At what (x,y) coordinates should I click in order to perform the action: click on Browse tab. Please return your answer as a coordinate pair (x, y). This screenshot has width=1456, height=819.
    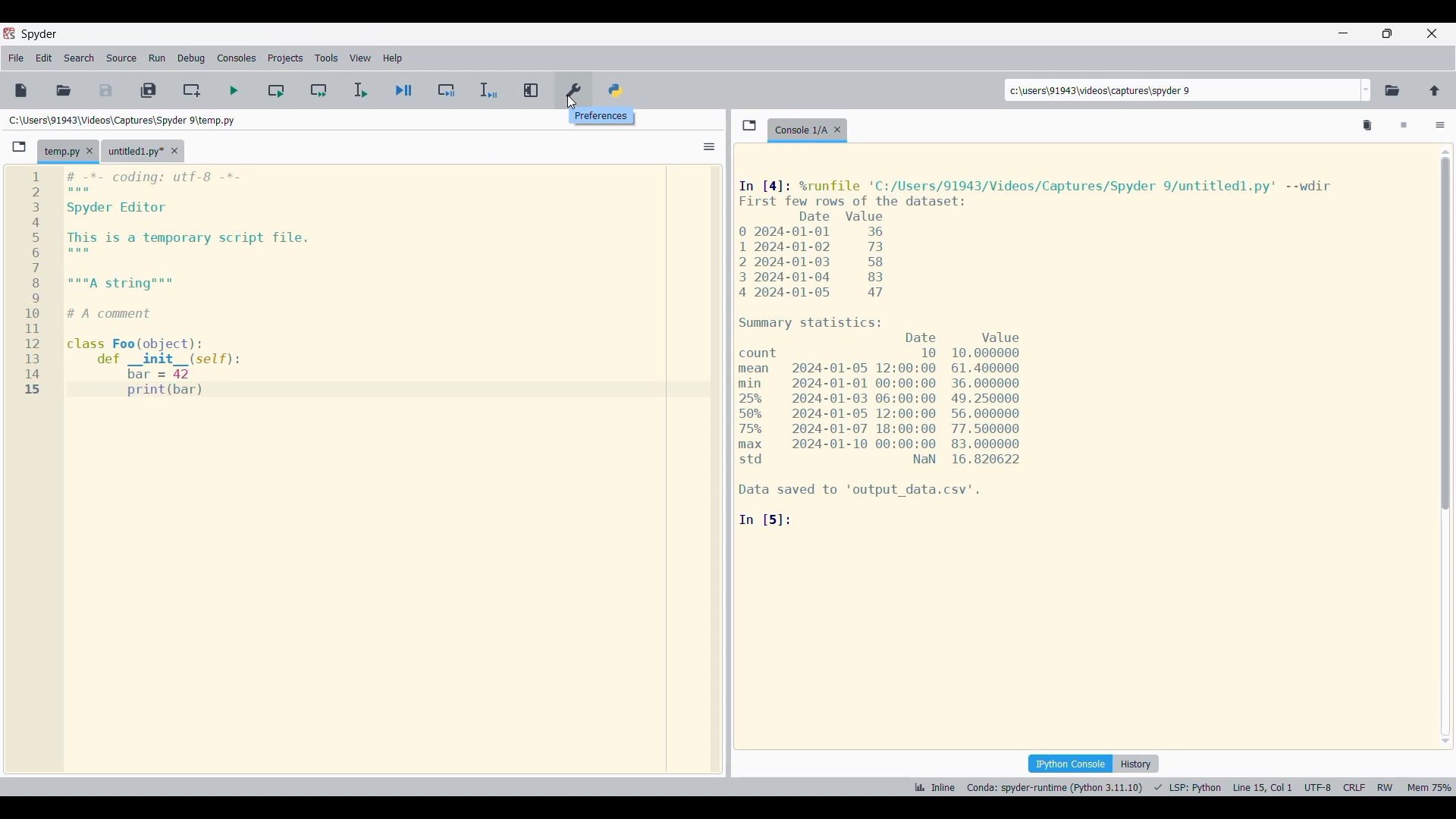
    Looking at the image, I should click on (19, 147).